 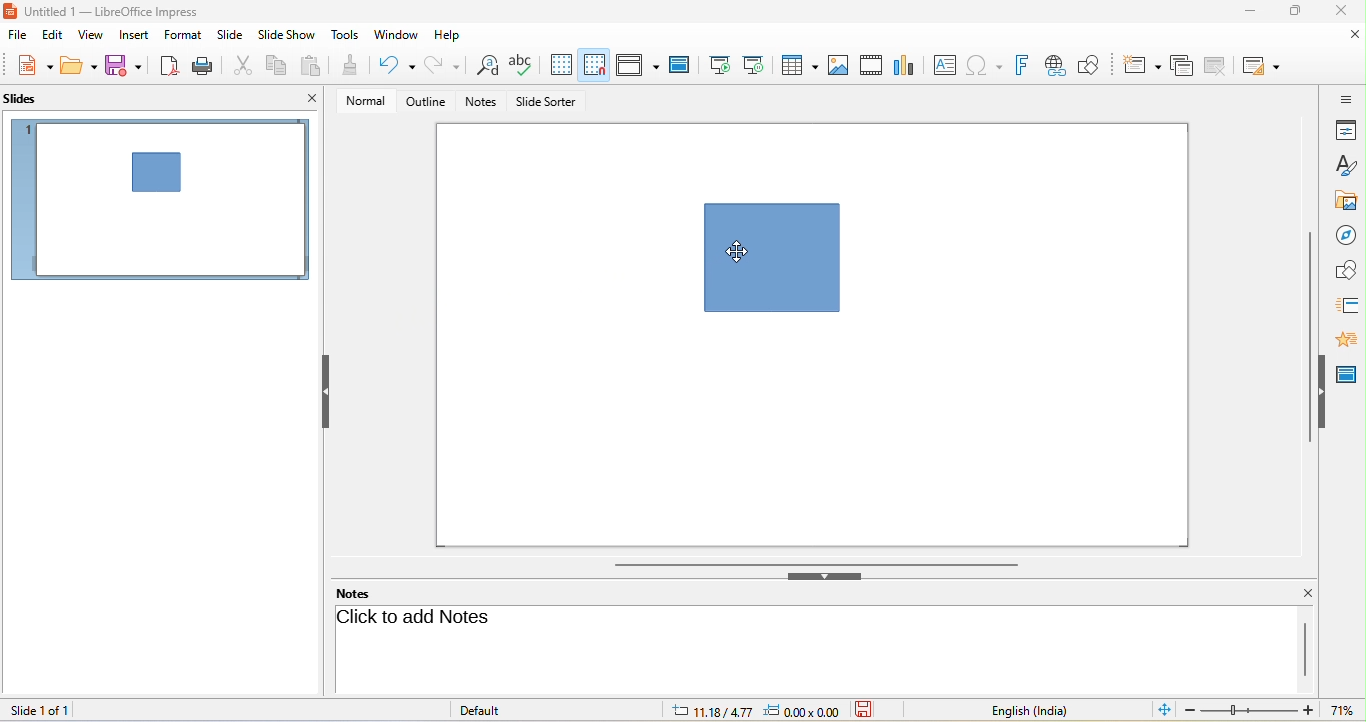 What do you see at coordinates (1356, 37) in the screenshot?
I see `close` at bounding box center [1356, 37].